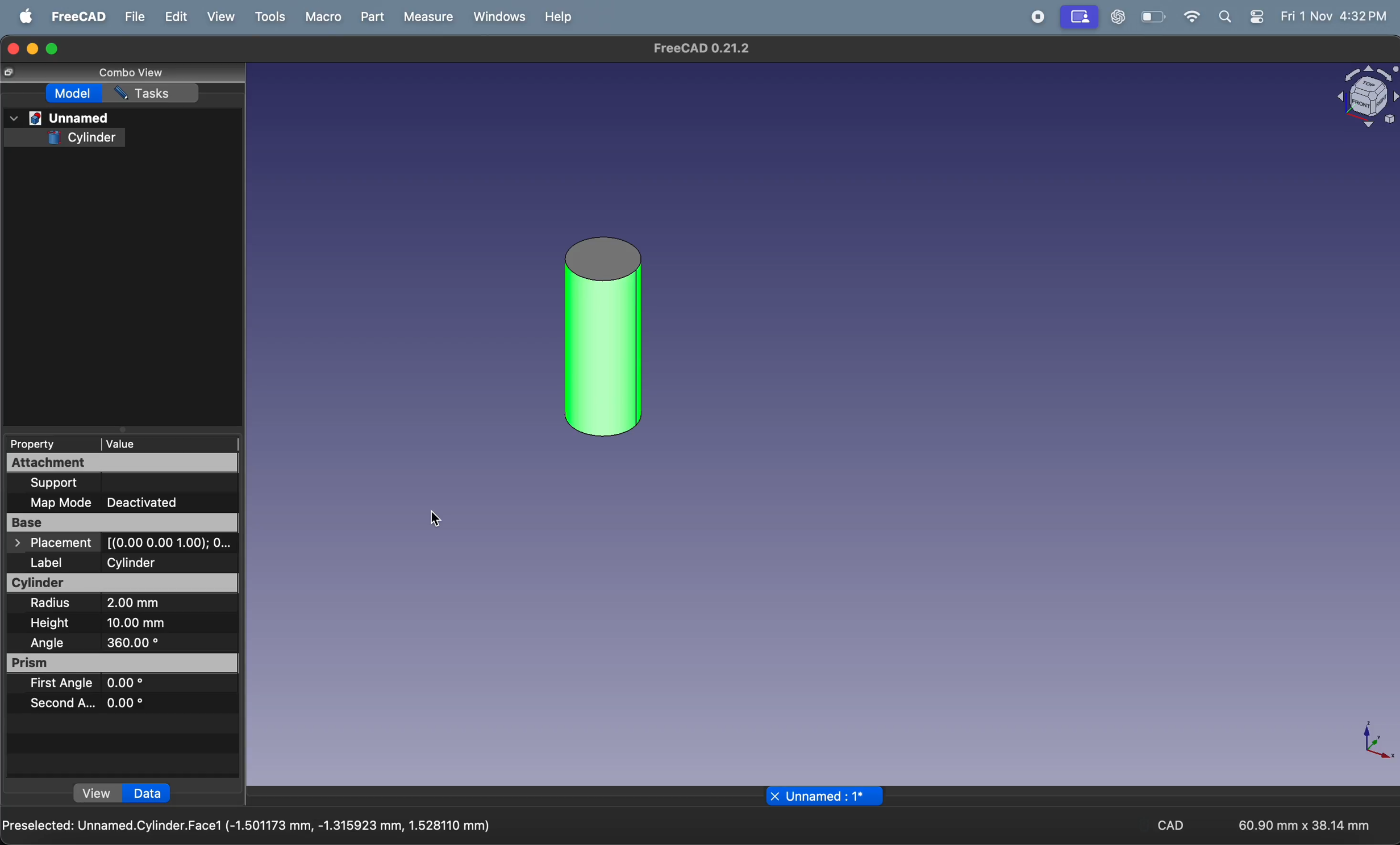  I want to click on CAD, so click(1163, 824).